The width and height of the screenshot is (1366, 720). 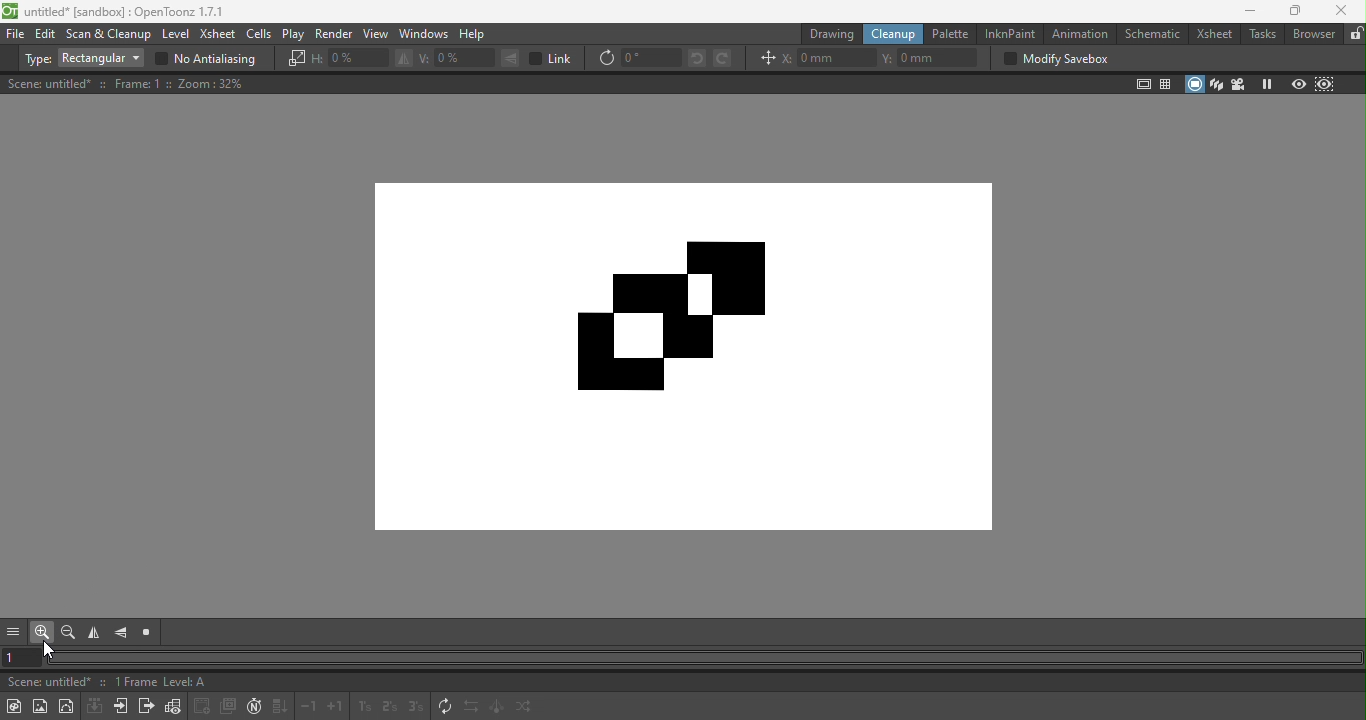 I want to click on Maximize, so click(x=1298, y=11).